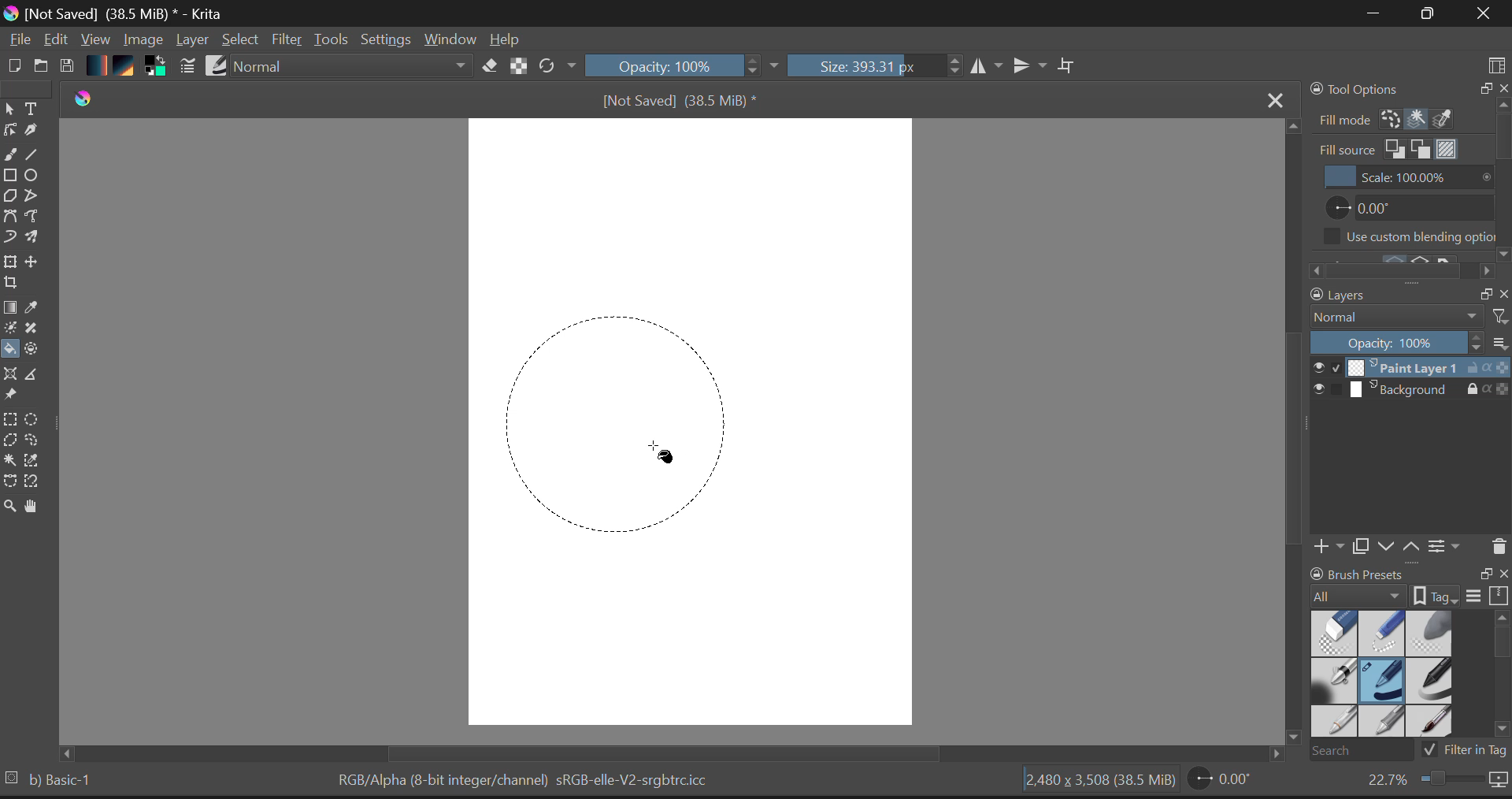 This screenshot has height=799, width=1512. What do you see at coordinates (1480, 15) in the screenshot?
I see `Close` at bounding box center [1480, 15].